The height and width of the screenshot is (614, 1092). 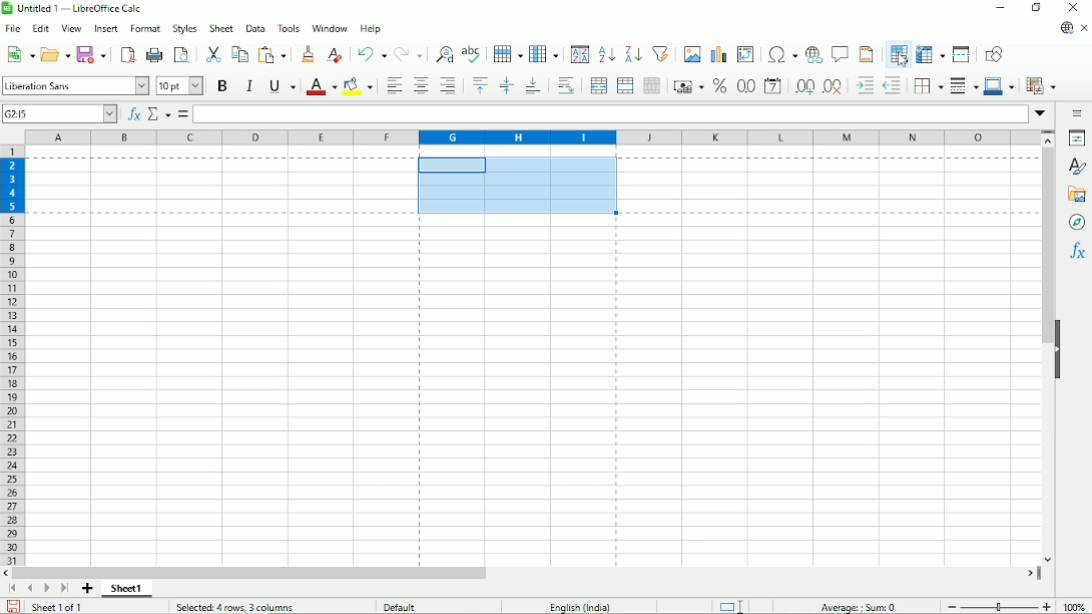 I want to click on Styles, so click(x=1076, y=167).